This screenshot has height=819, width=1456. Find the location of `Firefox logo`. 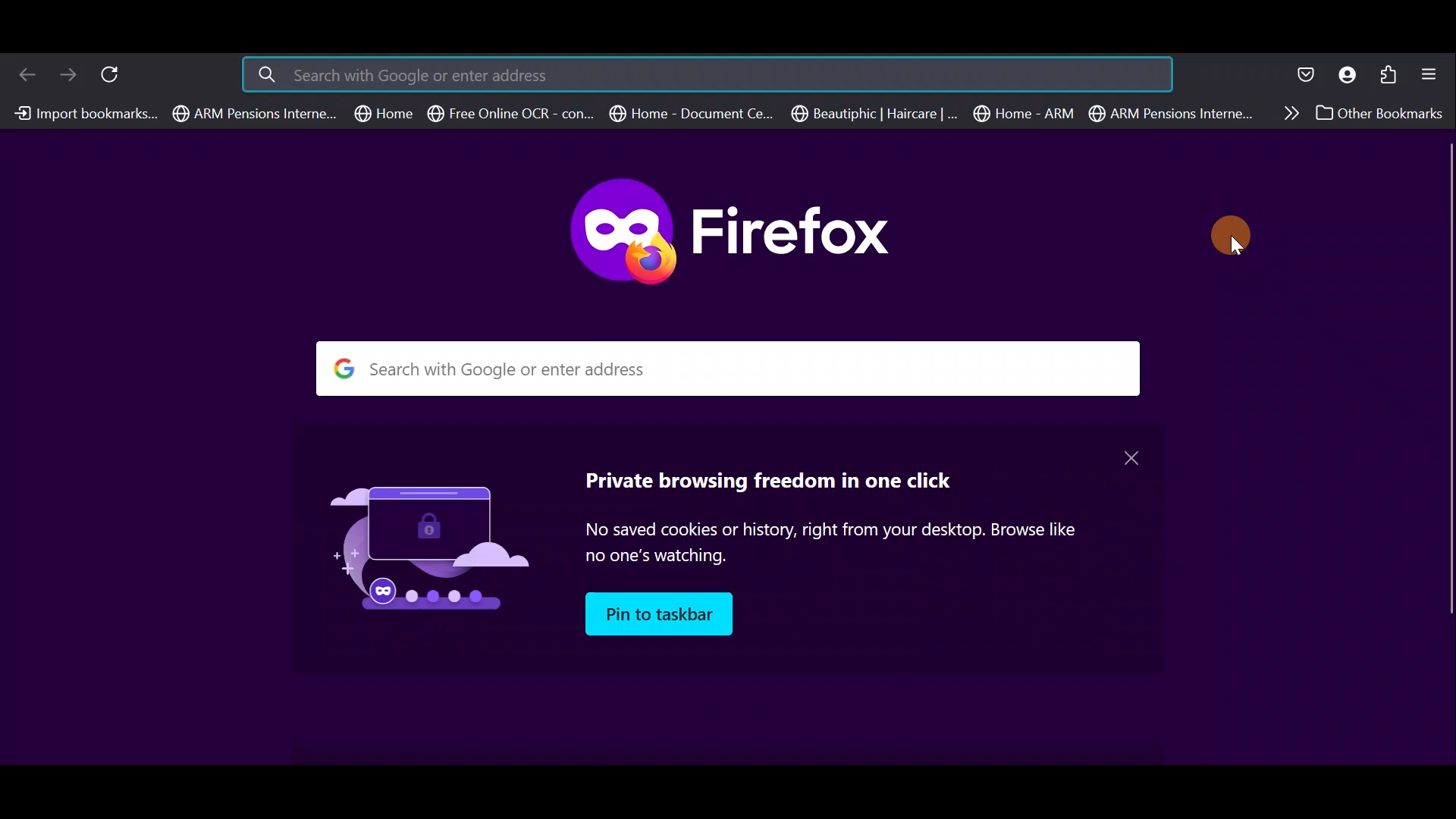

Firefox logo is located at coordinates (731, 236).